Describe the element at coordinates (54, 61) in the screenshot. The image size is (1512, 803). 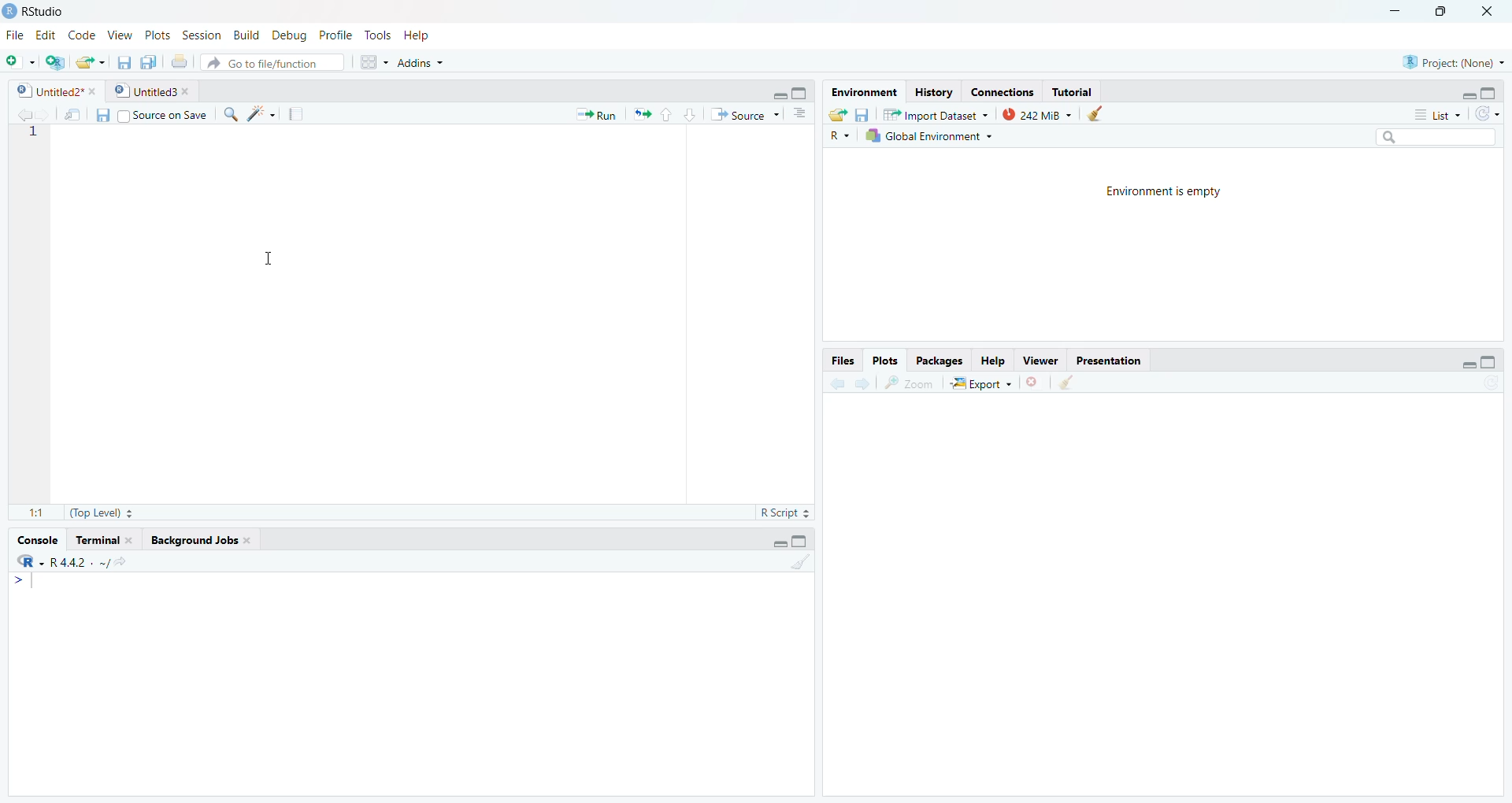
I see `create a project` at that location.